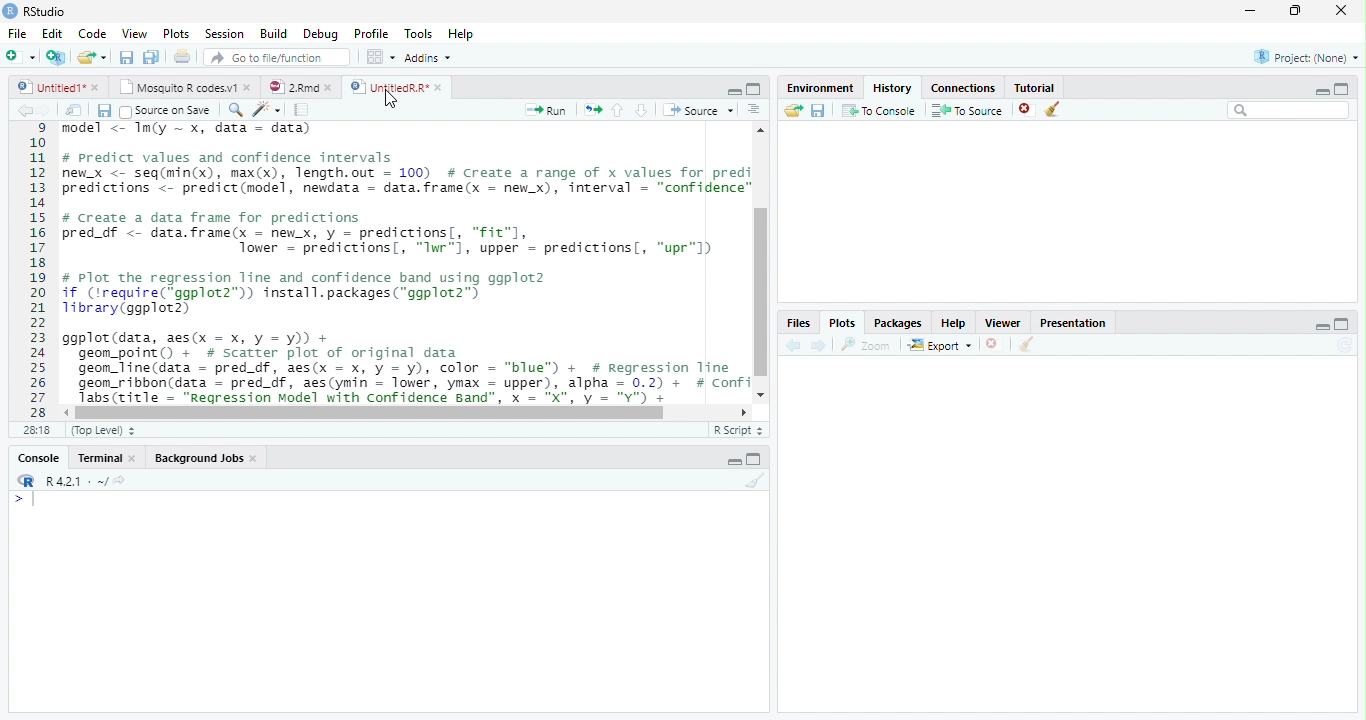  I want to click on Tools, so click(421, 34).